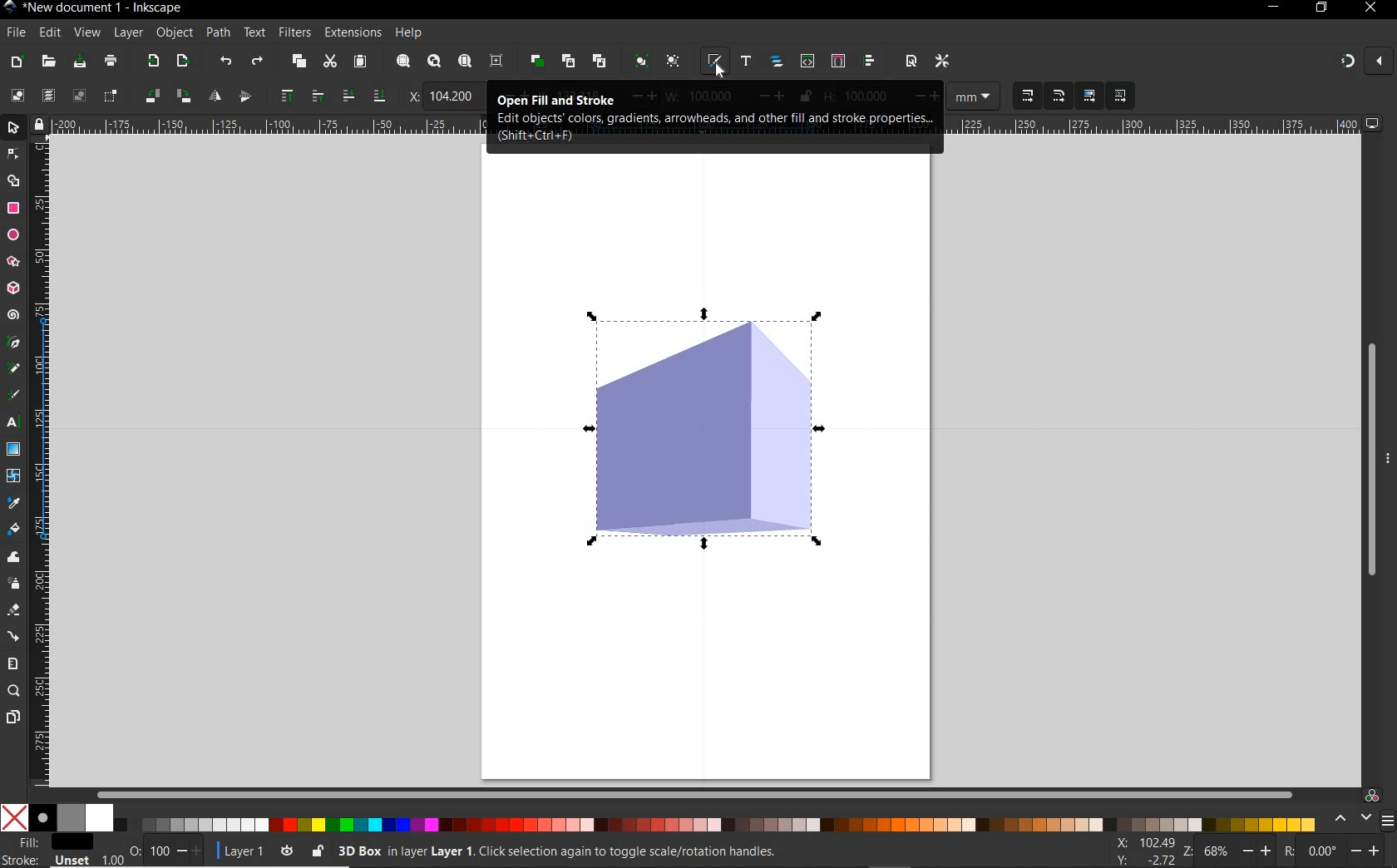 The image size is (1397, 868). I want to click on EXTENSIONS, so click(351, 33).